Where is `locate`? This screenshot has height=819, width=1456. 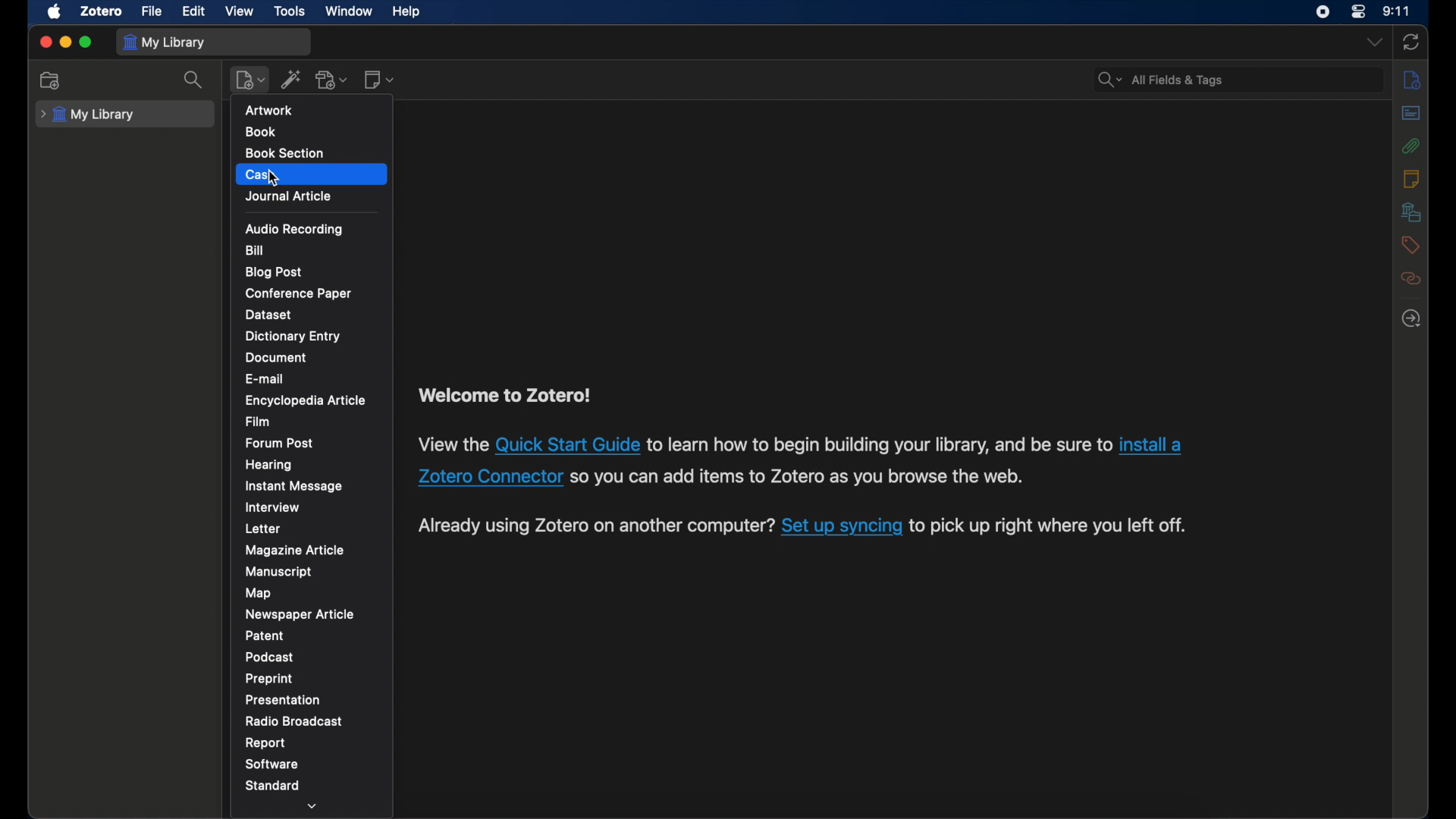 locate is located at coordinates (1411, 318).